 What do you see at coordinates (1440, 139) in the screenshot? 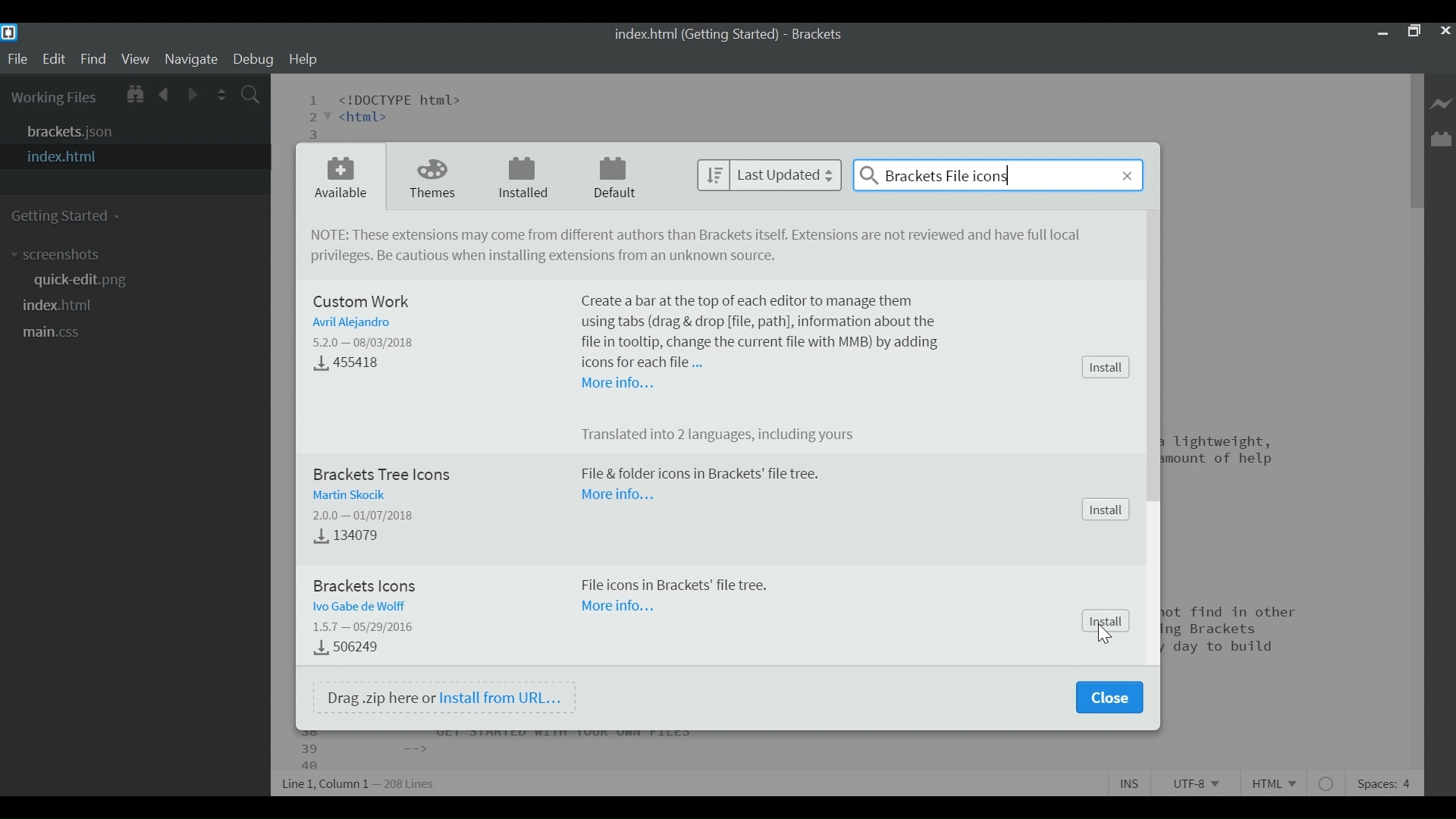
I see `Manage Extension` at bounding box center [1440, 139].